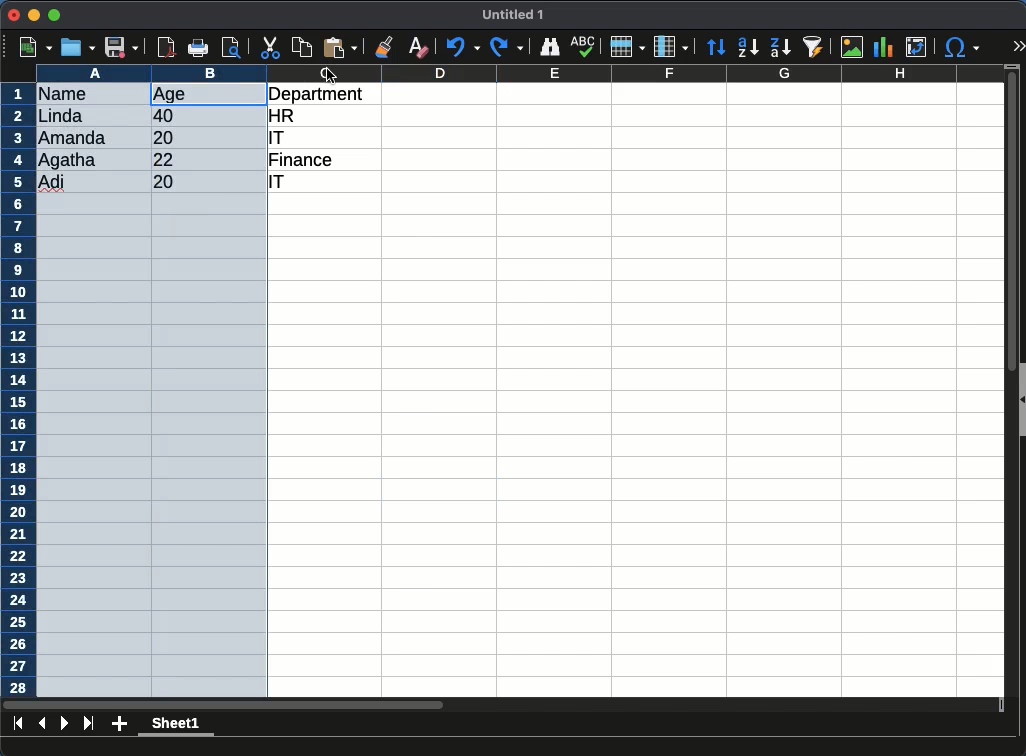 This screenshot has height=756, width=1026. Describe the element at coordinates (271, 47) in the screenshot. I see `cut` at that location.